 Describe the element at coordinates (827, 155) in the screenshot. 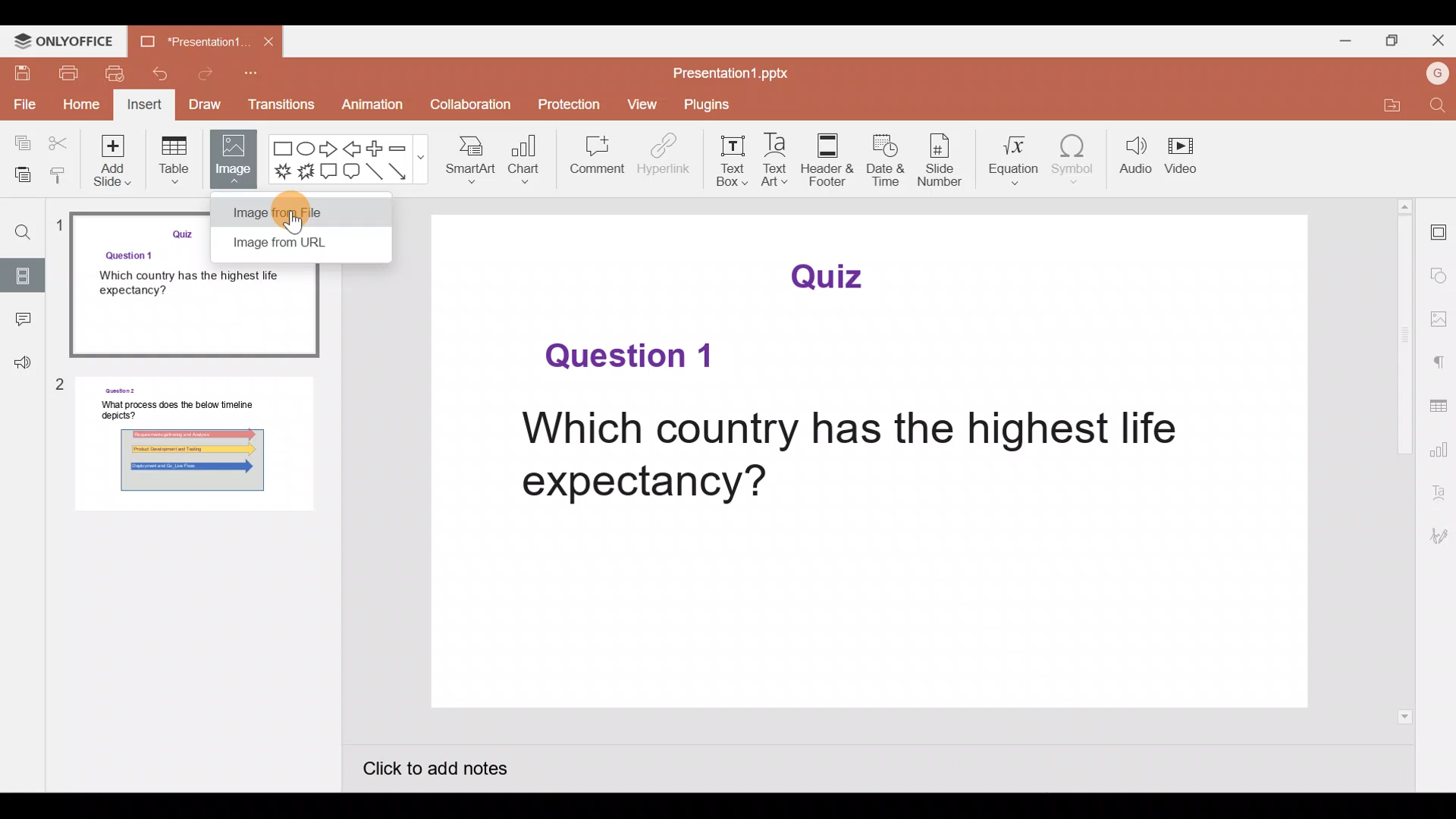

I see `Header & footer` at that location.